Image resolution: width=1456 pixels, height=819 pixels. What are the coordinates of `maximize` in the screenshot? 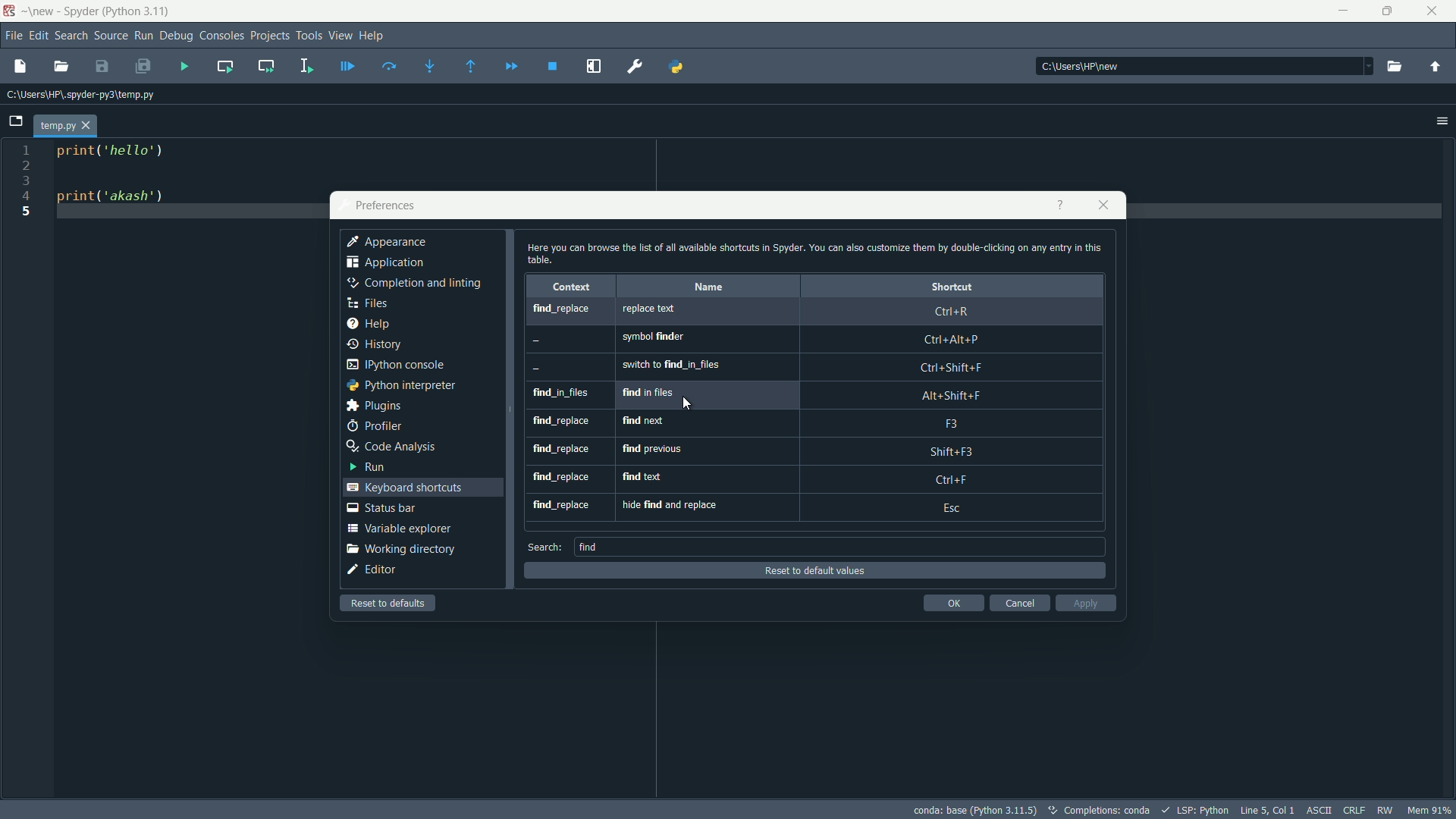 It's located at (1386, 11).